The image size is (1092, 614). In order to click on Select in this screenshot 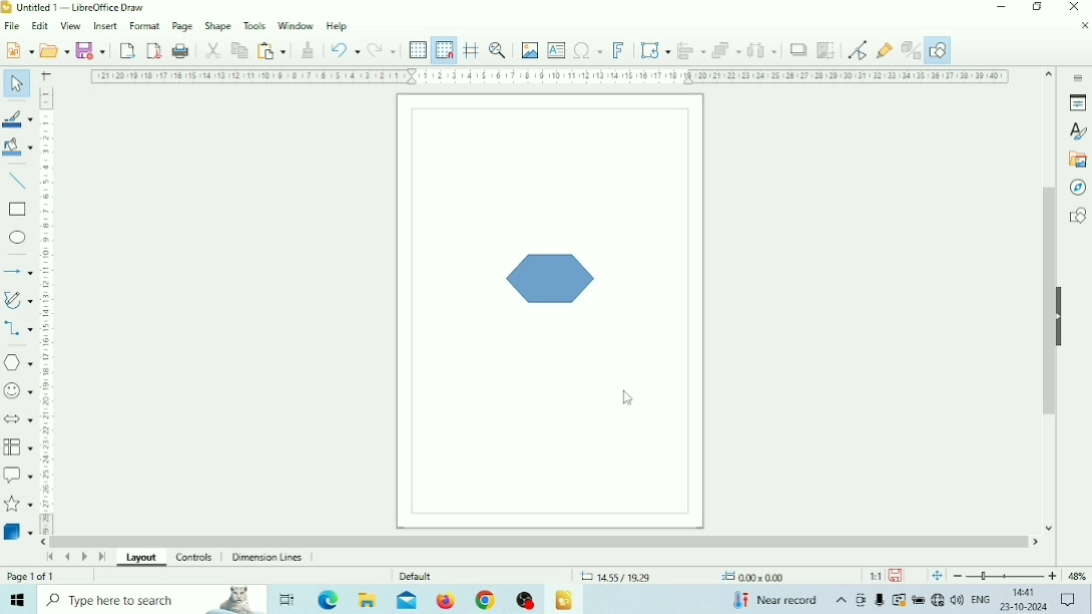, I will do `click(17, 82)`.